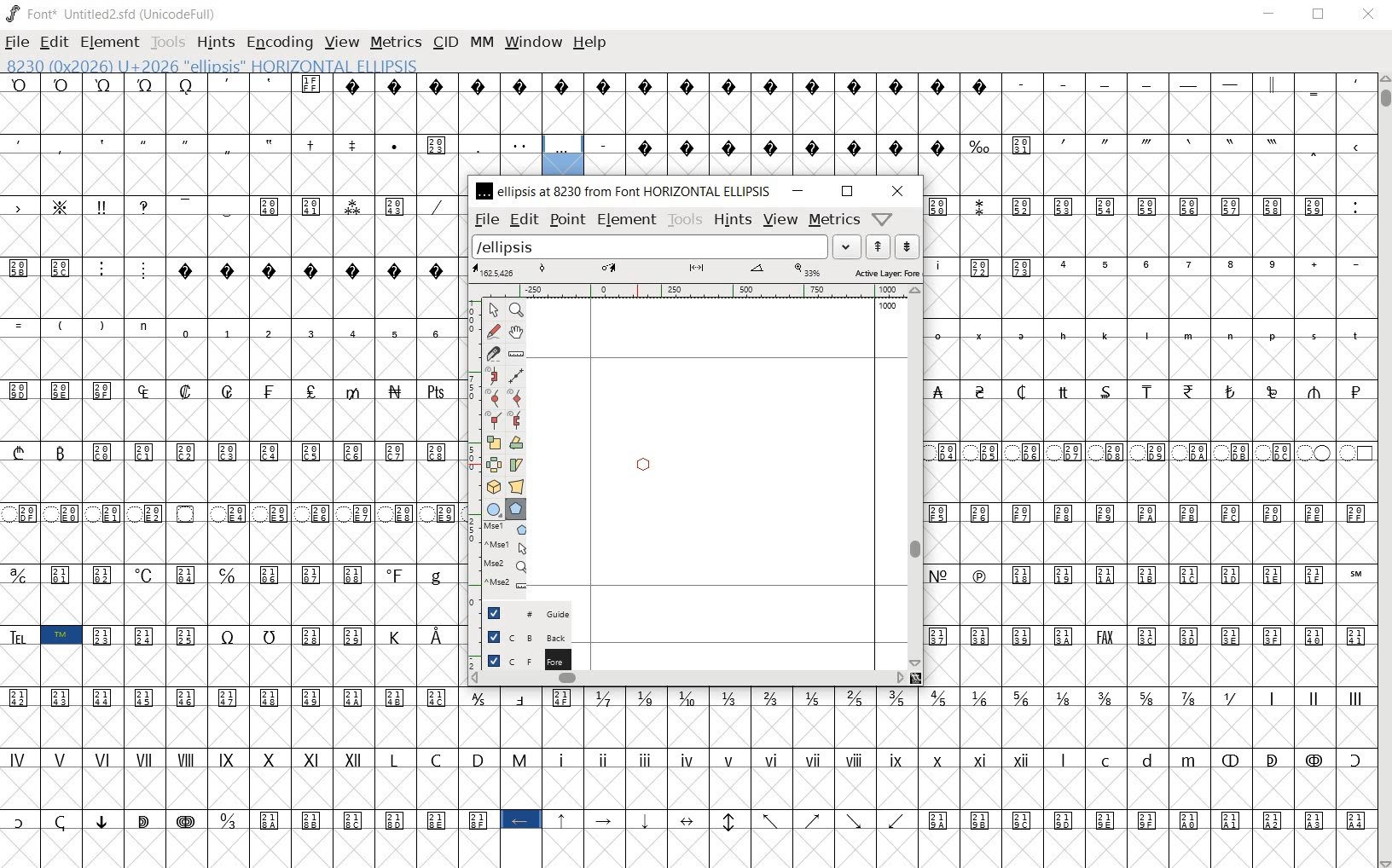 Image resolution: width=1392 pixels, height=868 pixels. Describe the element at coordinates (520, 612) in the screenshot. I see `guide` at that location.